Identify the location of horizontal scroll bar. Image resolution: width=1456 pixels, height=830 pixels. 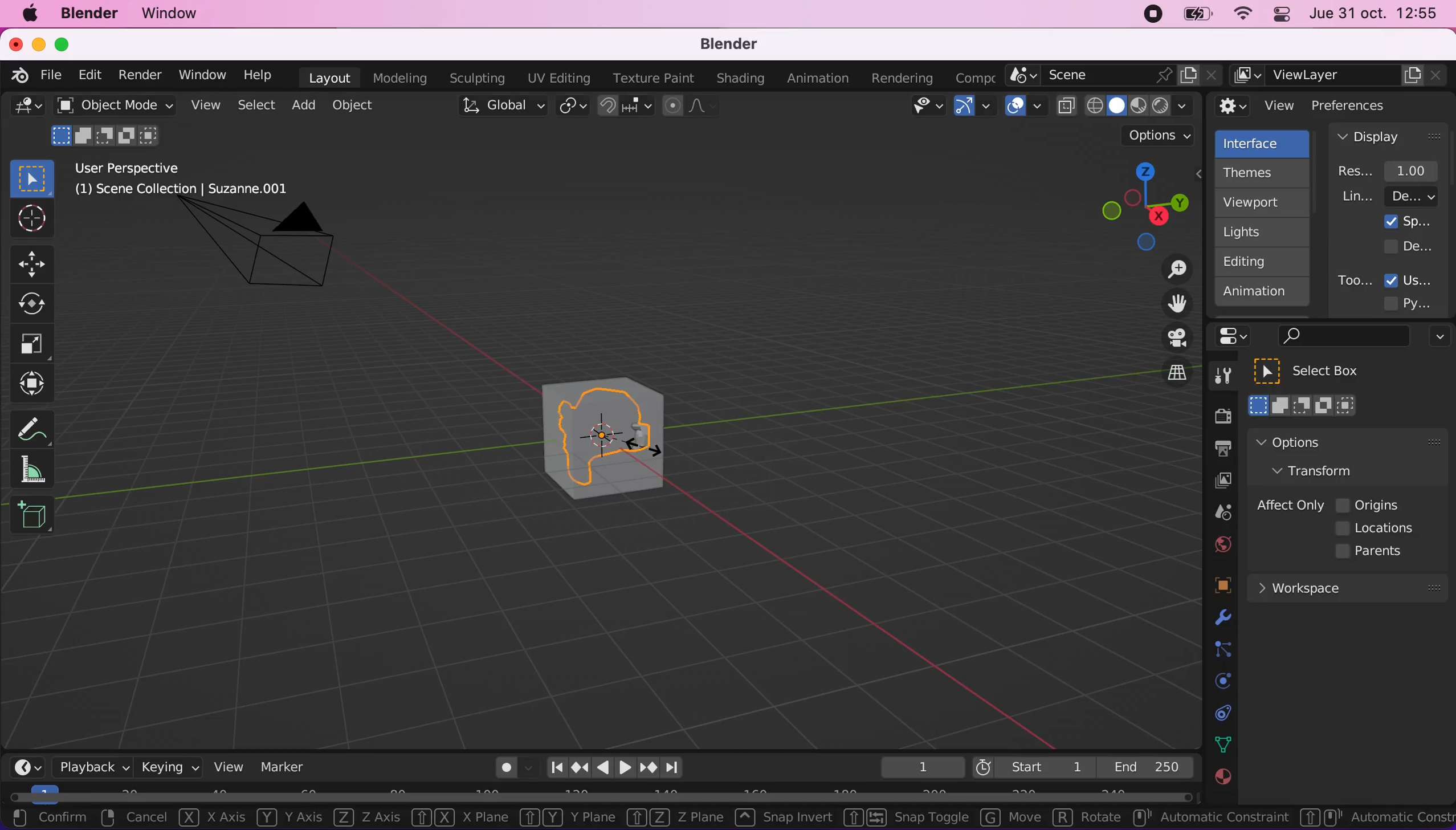
(601, 796).